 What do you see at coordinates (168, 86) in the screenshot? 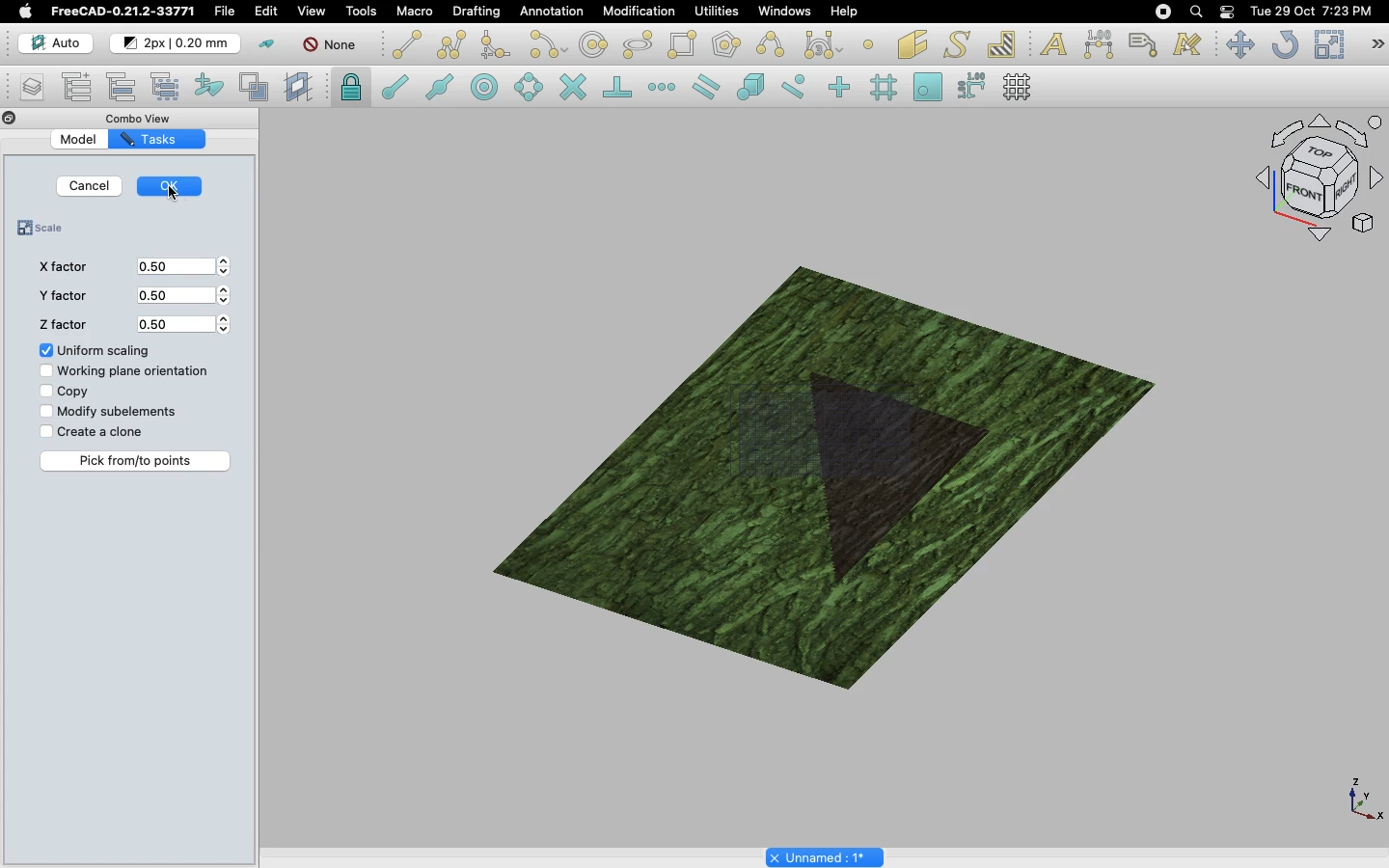
I see `Select group` at bounding box center [168, 86].